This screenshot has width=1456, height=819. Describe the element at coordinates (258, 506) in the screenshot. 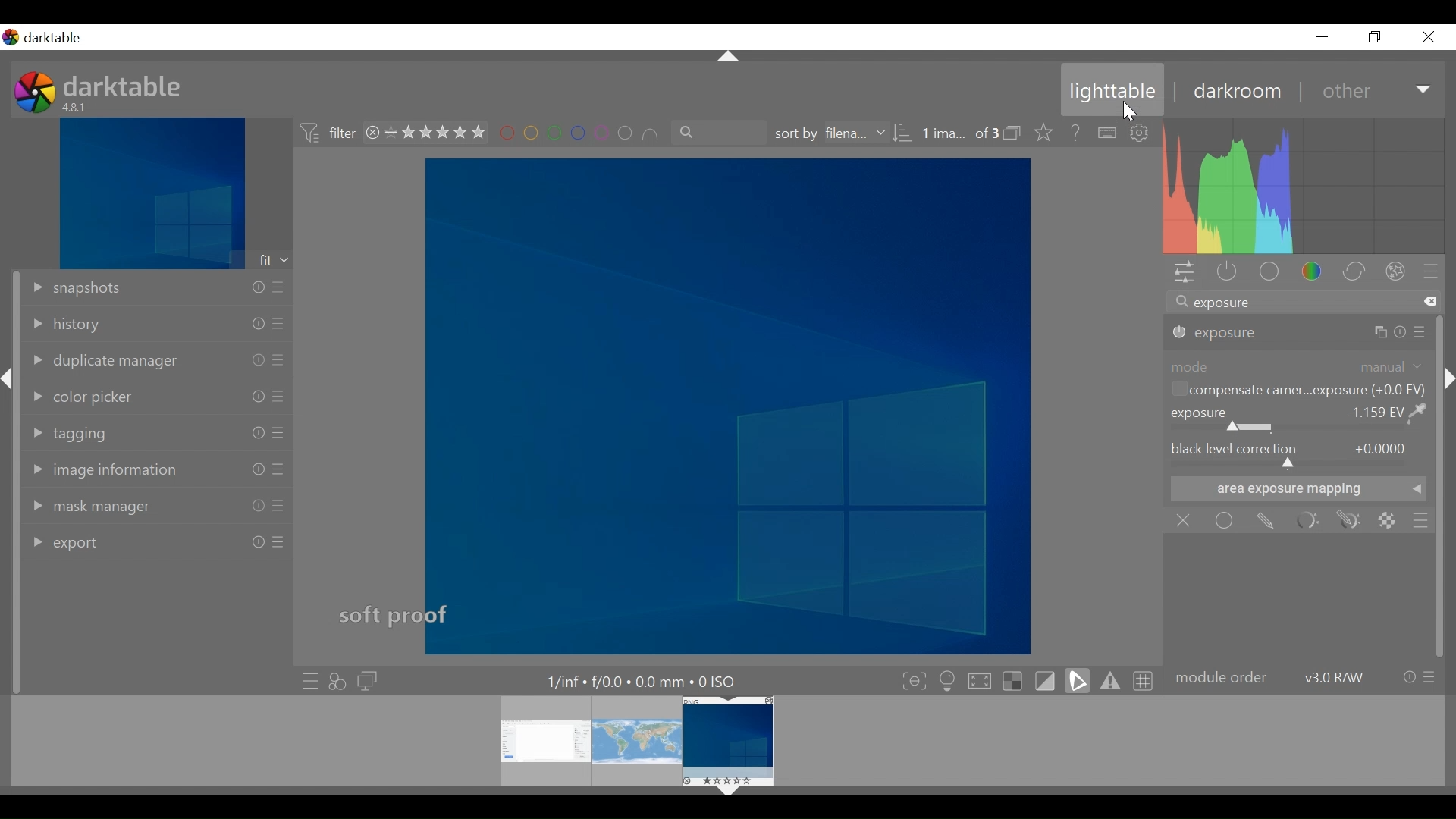

I see `info` at that location.